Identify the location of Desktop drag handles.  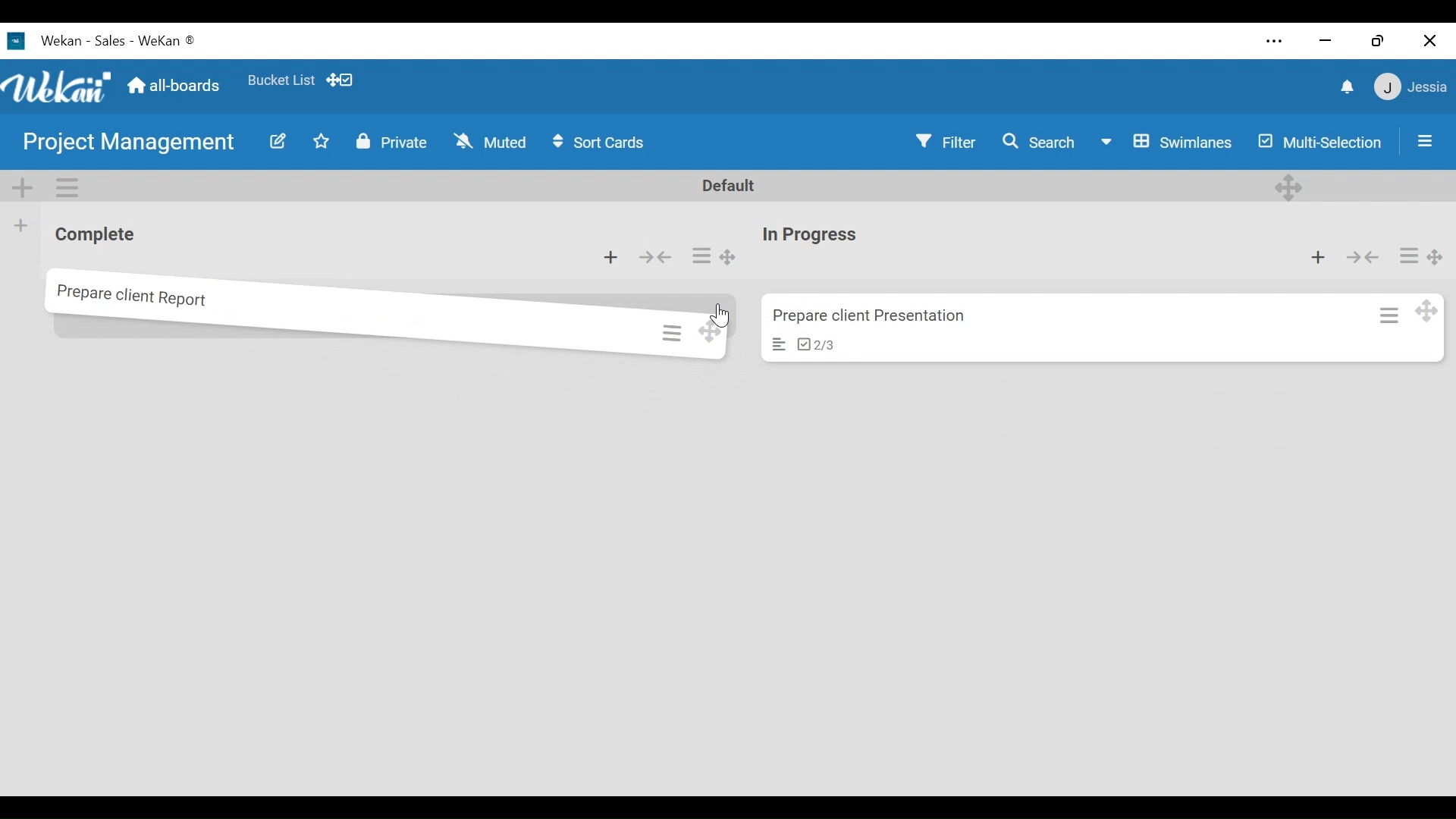
(729, 258).